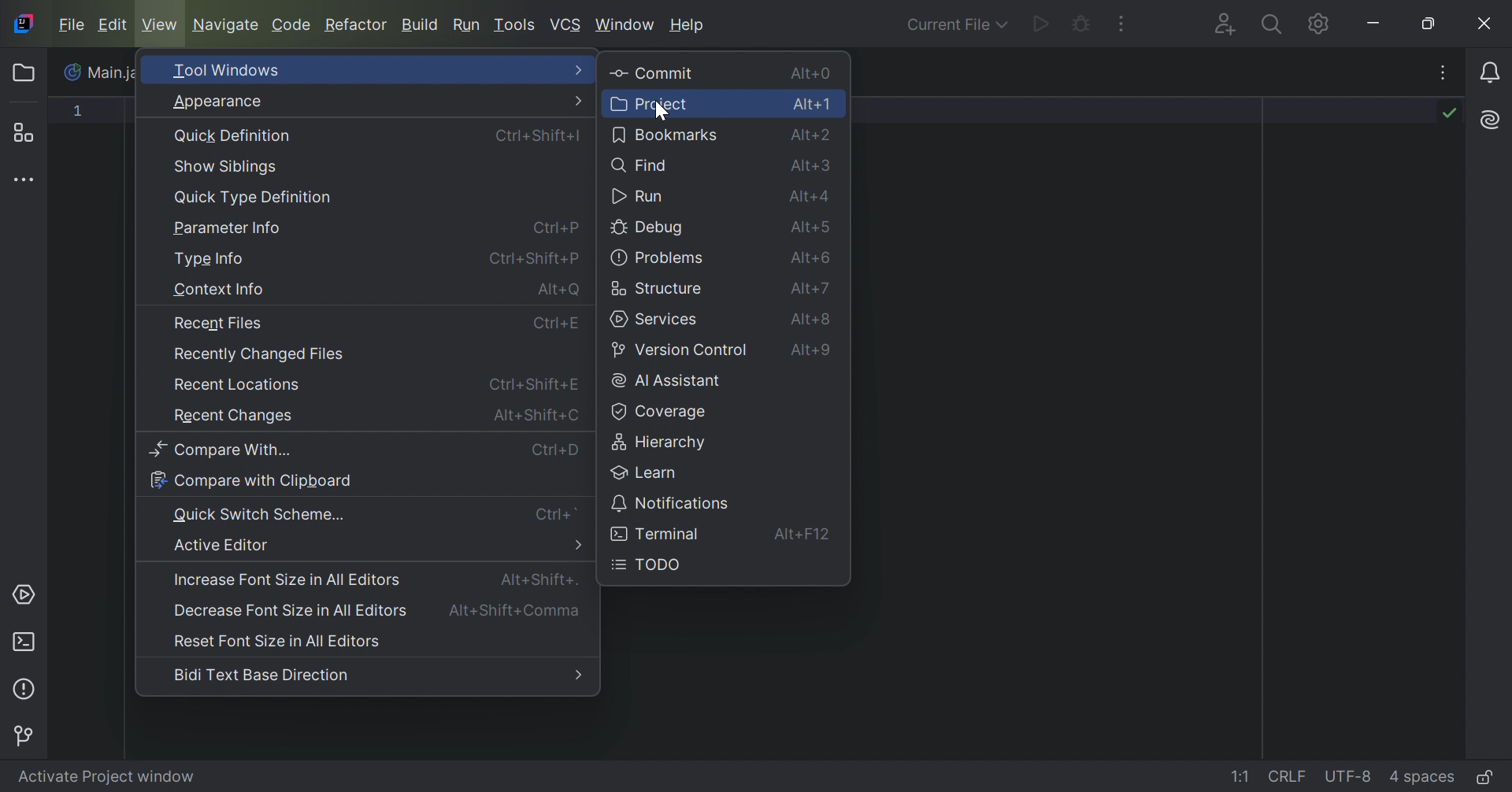 This screenshot has height=792, width=1512. What do you see at coordinates (218, 291) in the screenshot?
I see `Context Info` at bounding box center [218, 291].